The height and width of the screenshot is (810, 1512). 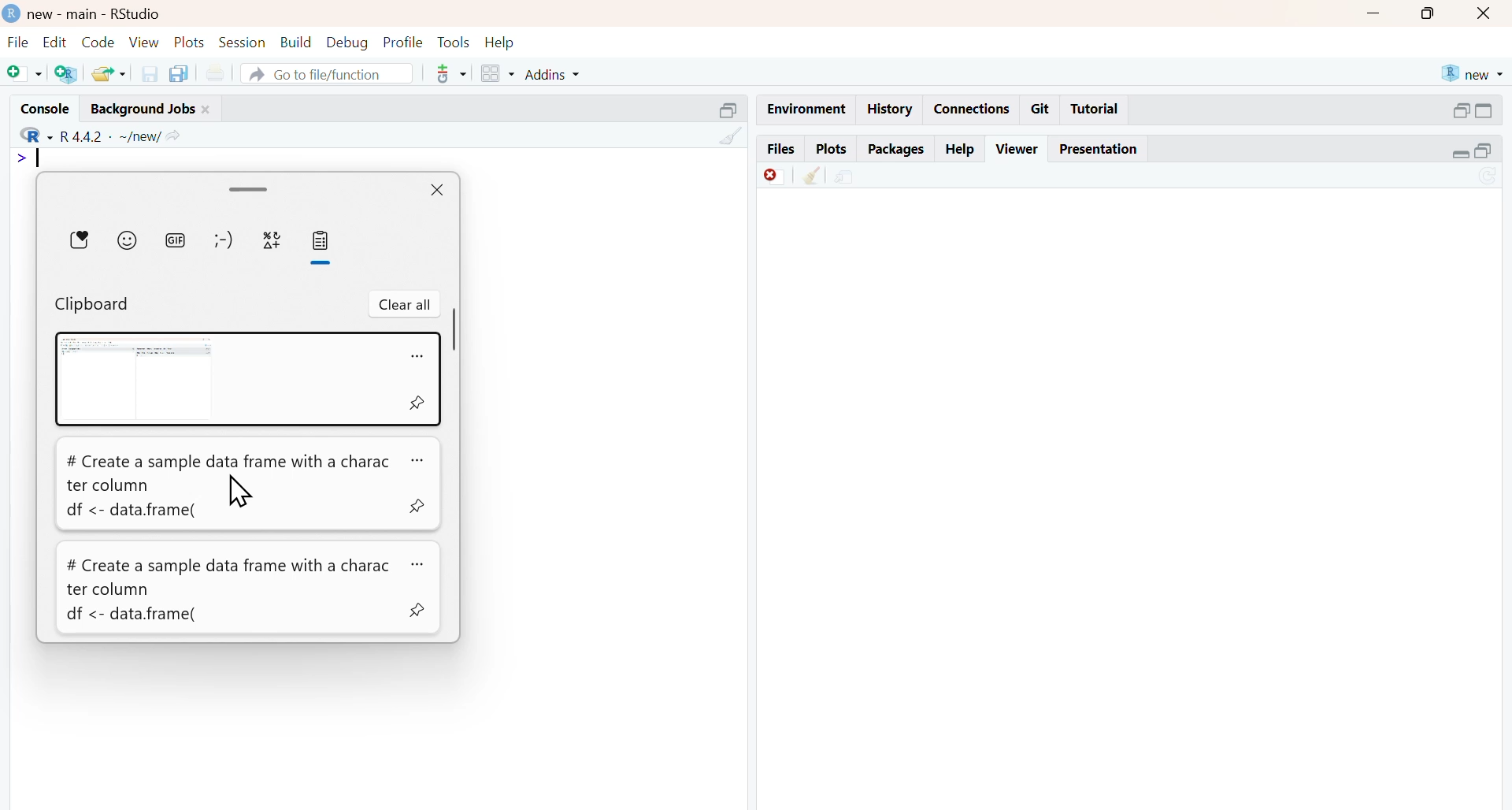 What do you see at coordinates (96, 14) in the screenshot?
I see `new - main - RStudio` at bounding box center [96, 14].